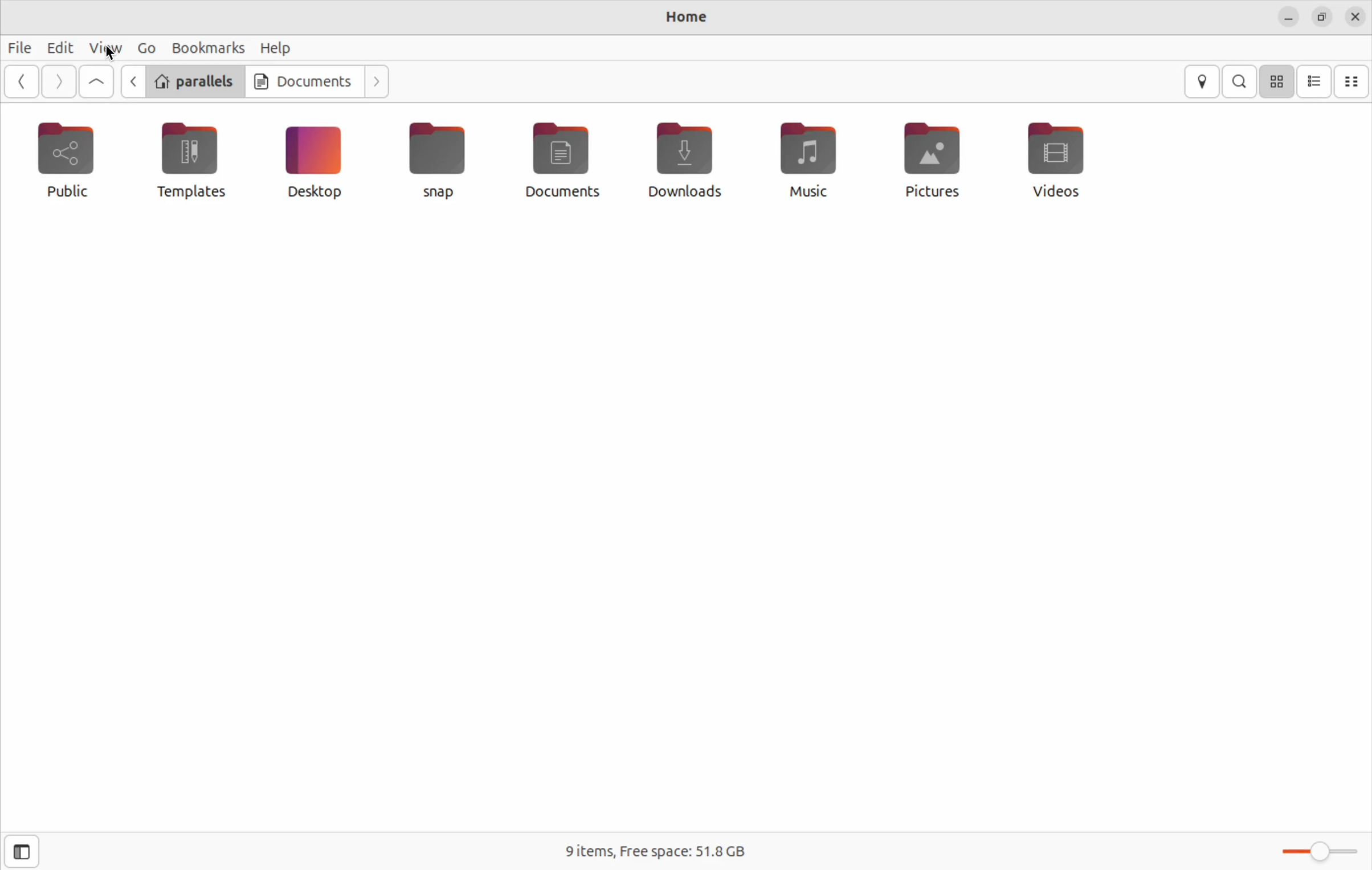 The height and width of the screenshot is (870, 1372). Describe the element at coordinates (21, 48) in the screenshot. I see `file` at that location.